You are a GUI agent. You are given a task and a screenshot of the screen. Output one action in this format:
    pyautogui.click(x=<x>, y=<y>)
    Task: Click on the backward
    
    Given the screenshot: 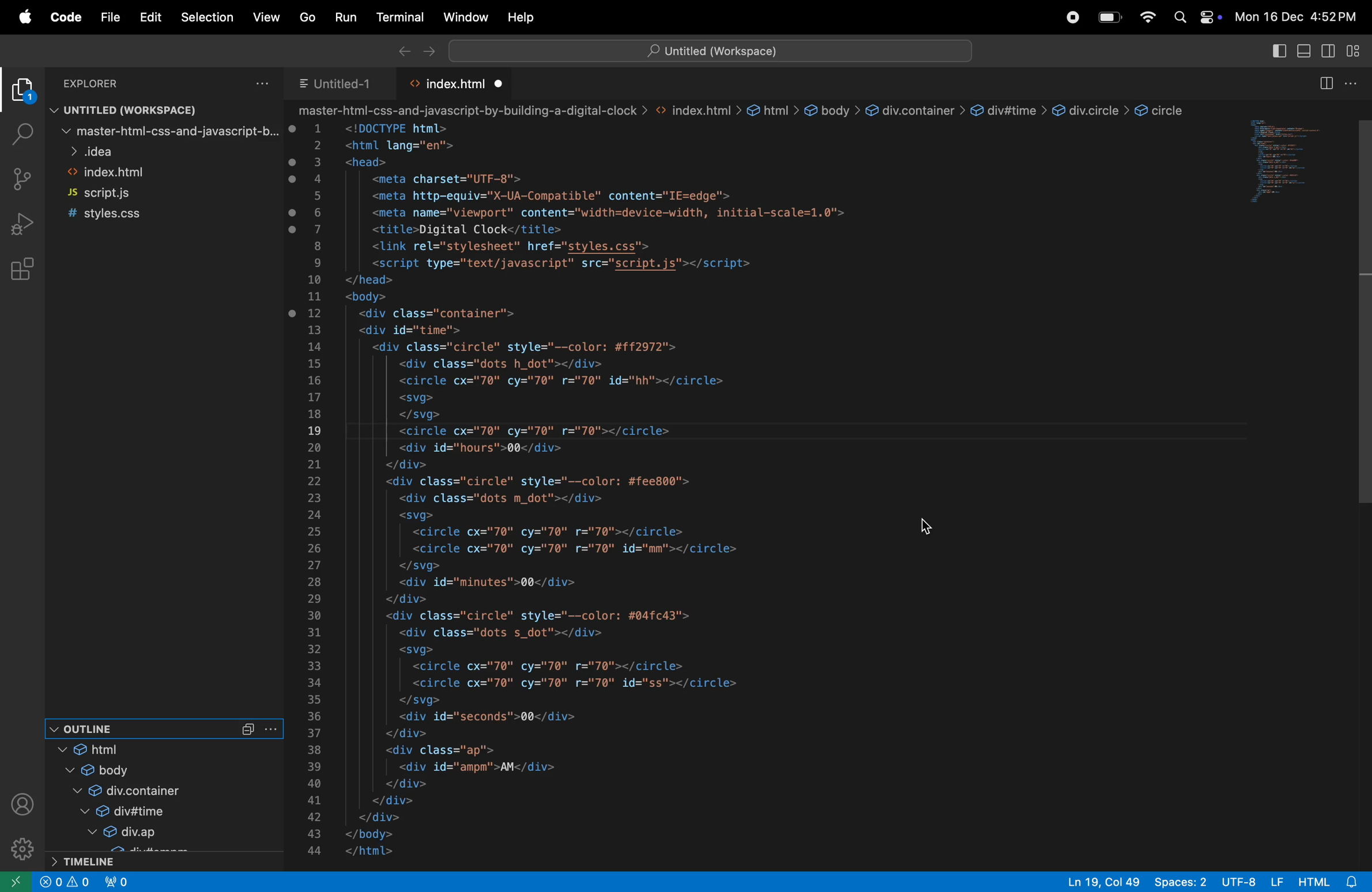 What is the action you would take?
    pyautogui.click(x=402, y=50)
    